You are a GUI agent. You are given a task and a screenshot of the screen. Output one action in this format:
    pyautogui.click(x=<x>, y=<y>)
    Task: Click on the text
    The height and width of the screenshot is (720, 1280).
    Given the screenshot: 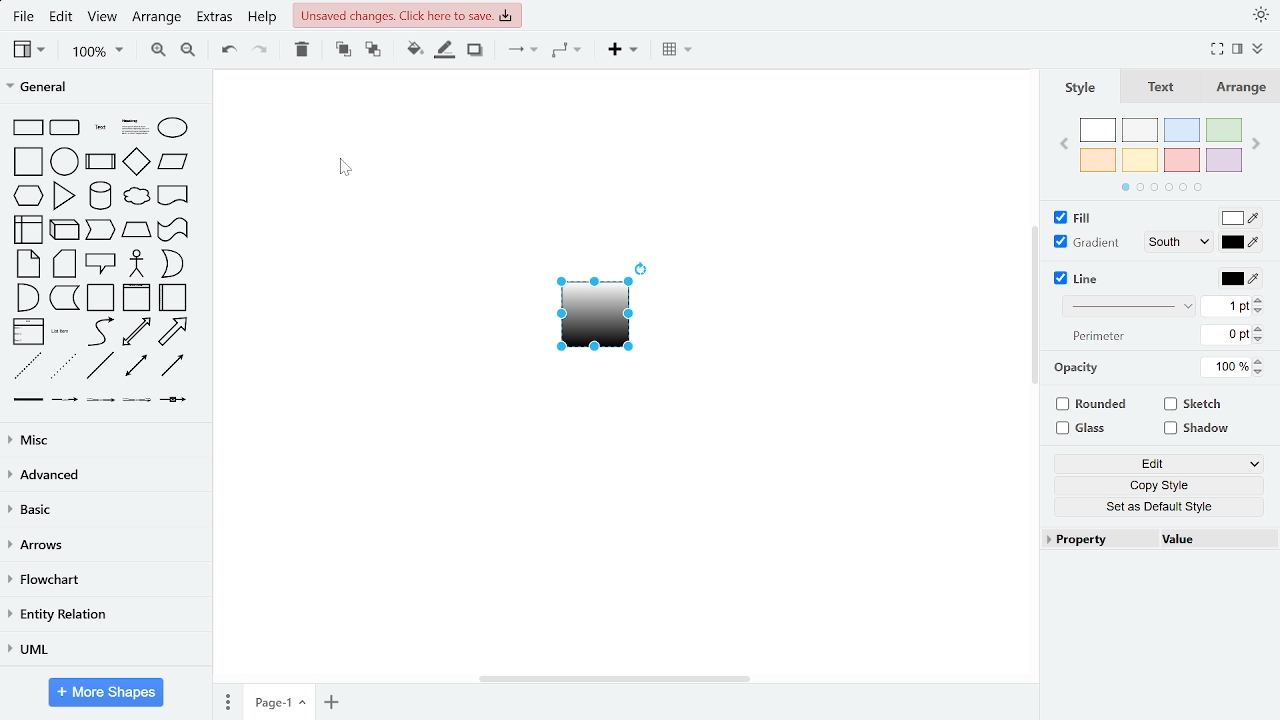 What is the action you would take?
    pyautogui.click(x=1163, y=90)
    